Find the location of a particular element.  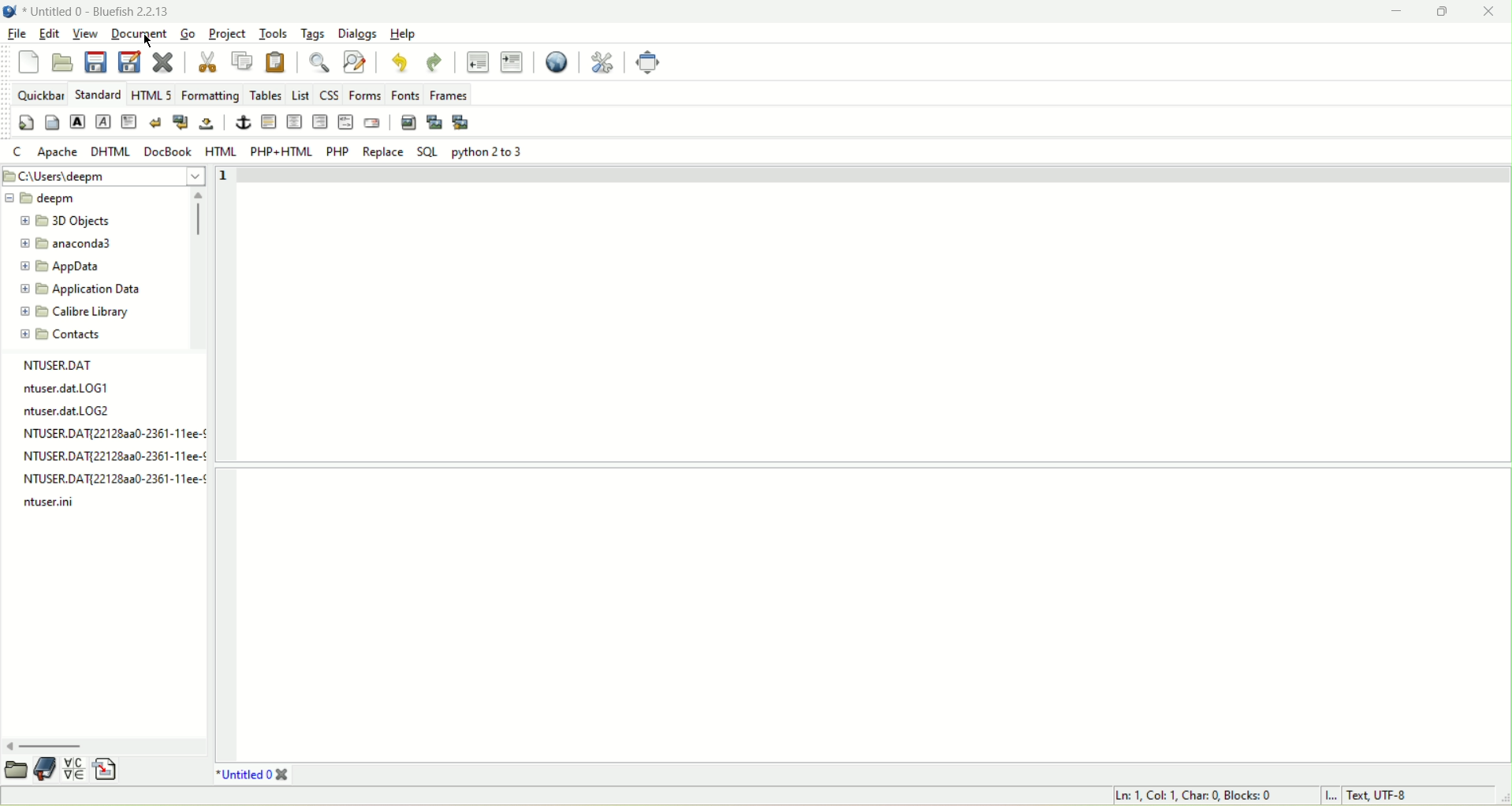

horizontal rule is located at coordinates (295, 121).